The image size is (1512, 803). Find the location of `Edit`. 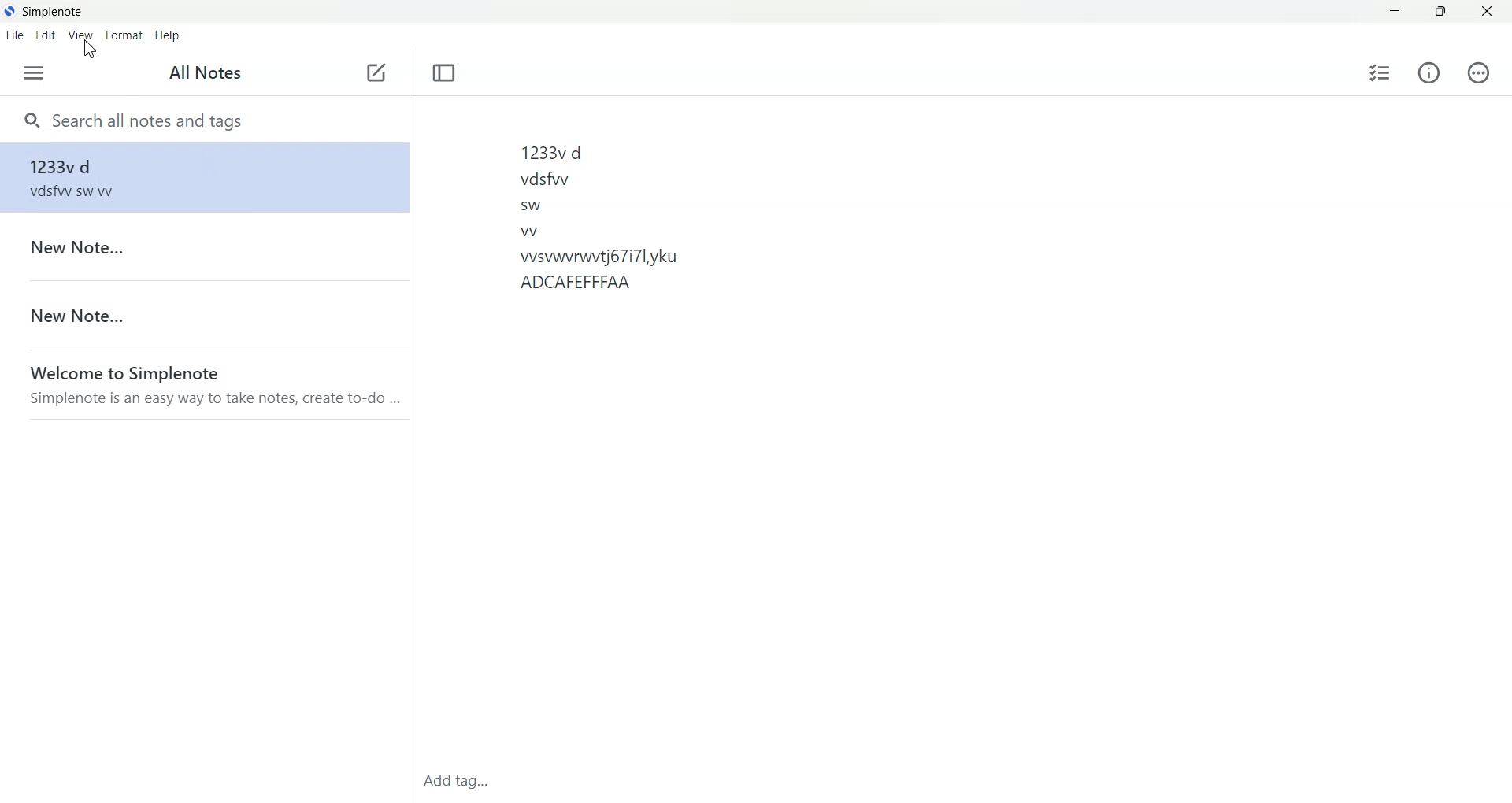

Edit is located at coordinates (45, 35).